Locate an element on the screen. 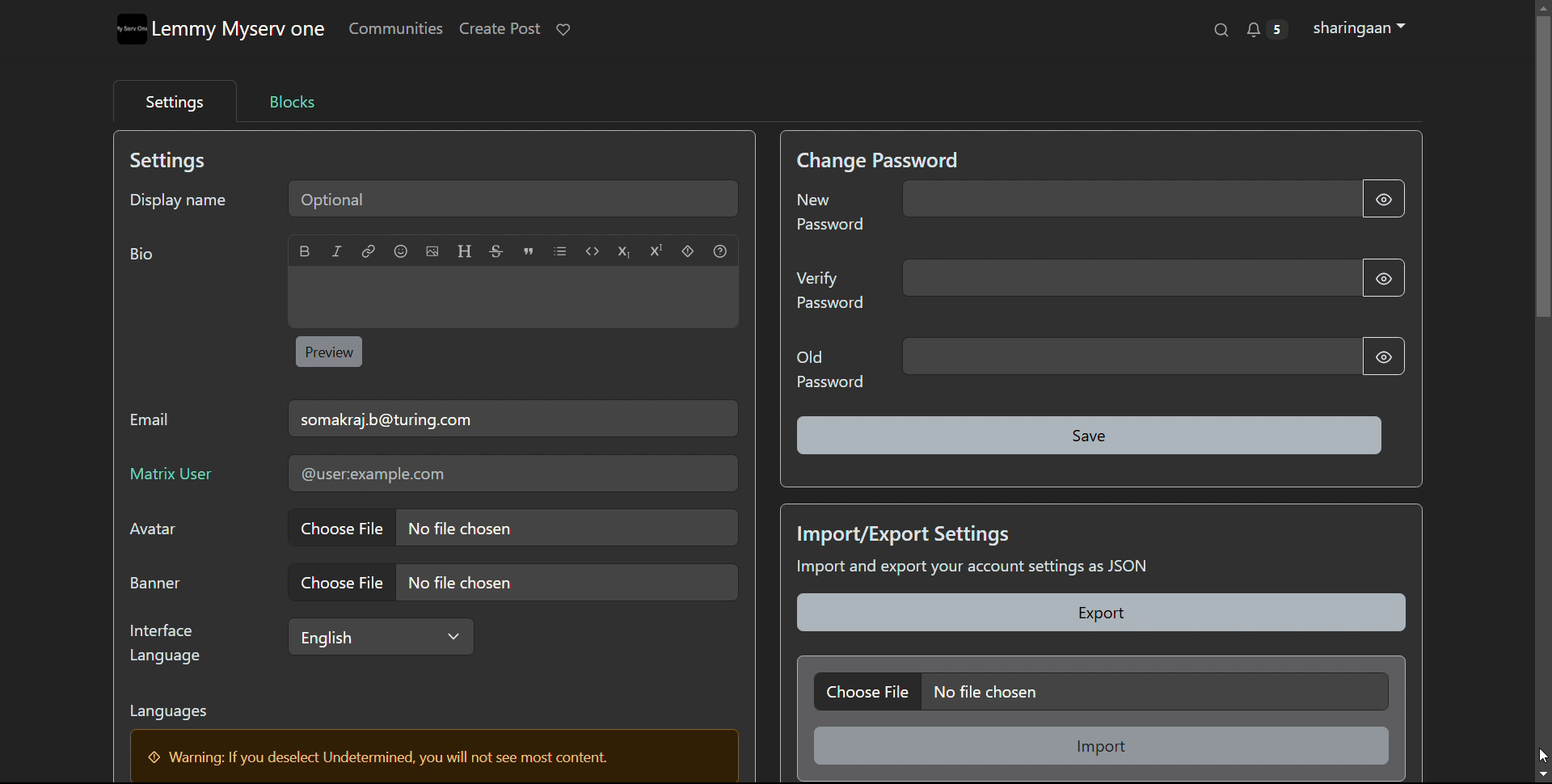 The width and height of the screenshot is (1552, 784). Display name is located at coordinates (177, 201).